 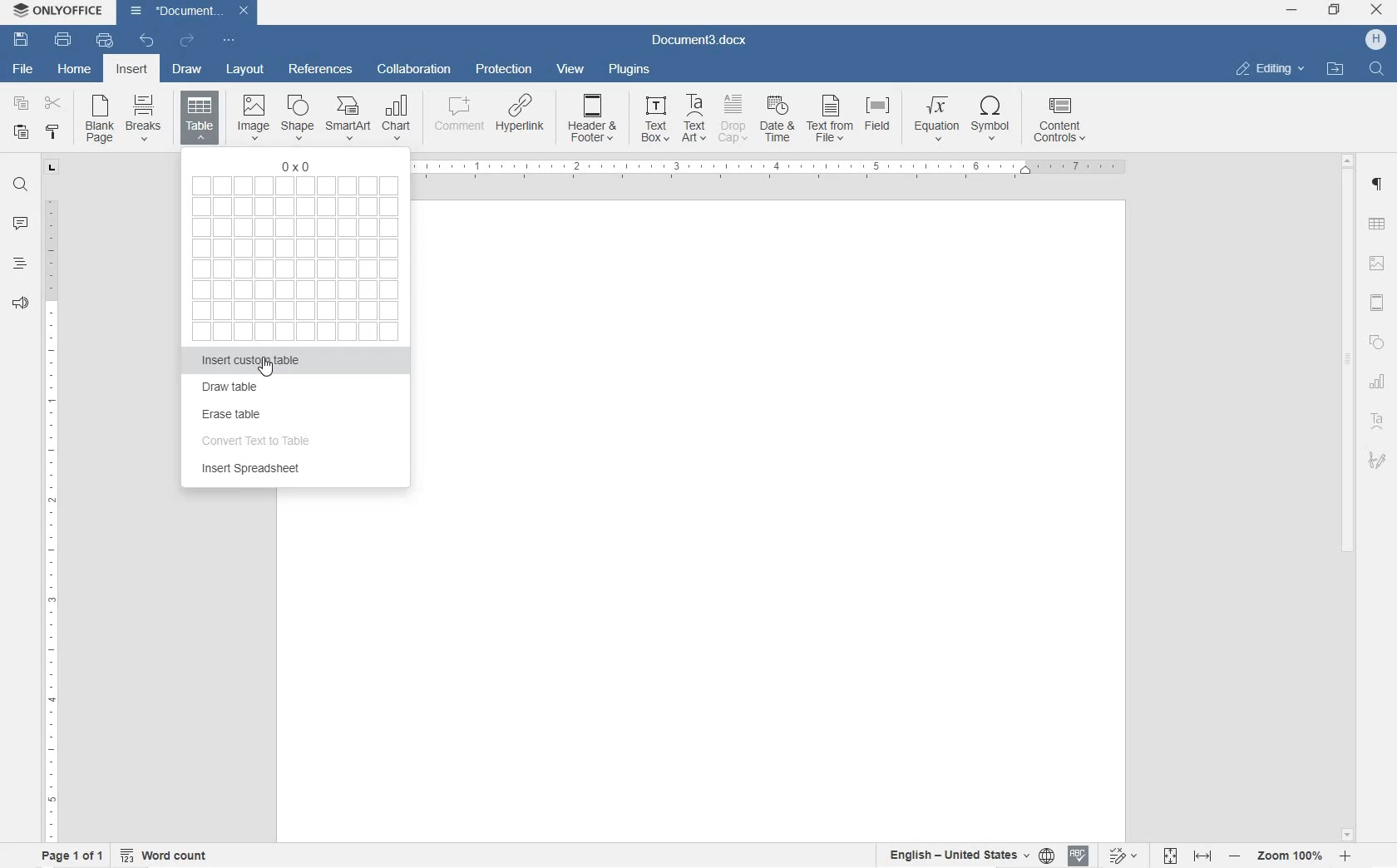 I want to click on FEEDBACK & SUPPORT, so click(x=17, y=303).